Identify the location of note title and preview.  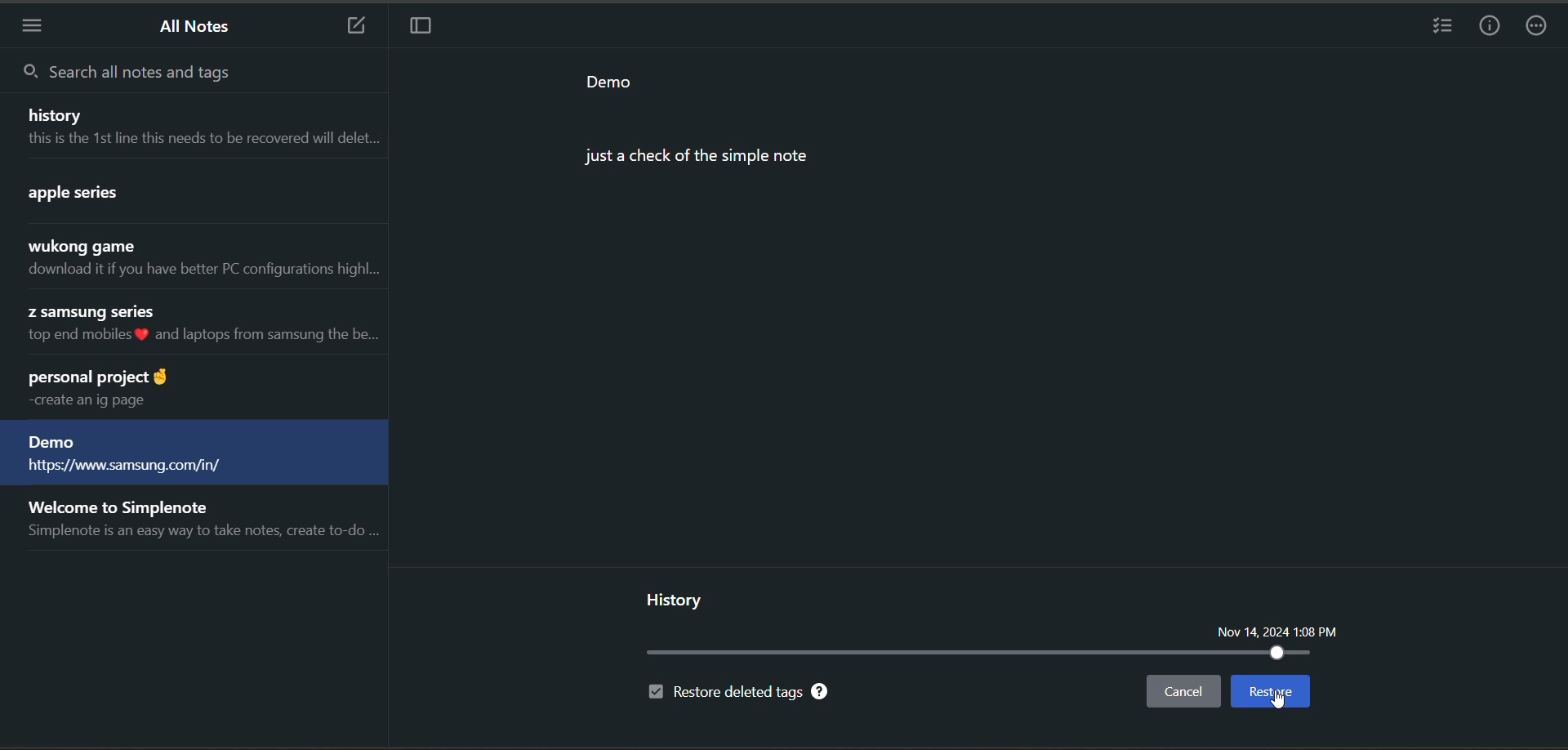
(199, 260).